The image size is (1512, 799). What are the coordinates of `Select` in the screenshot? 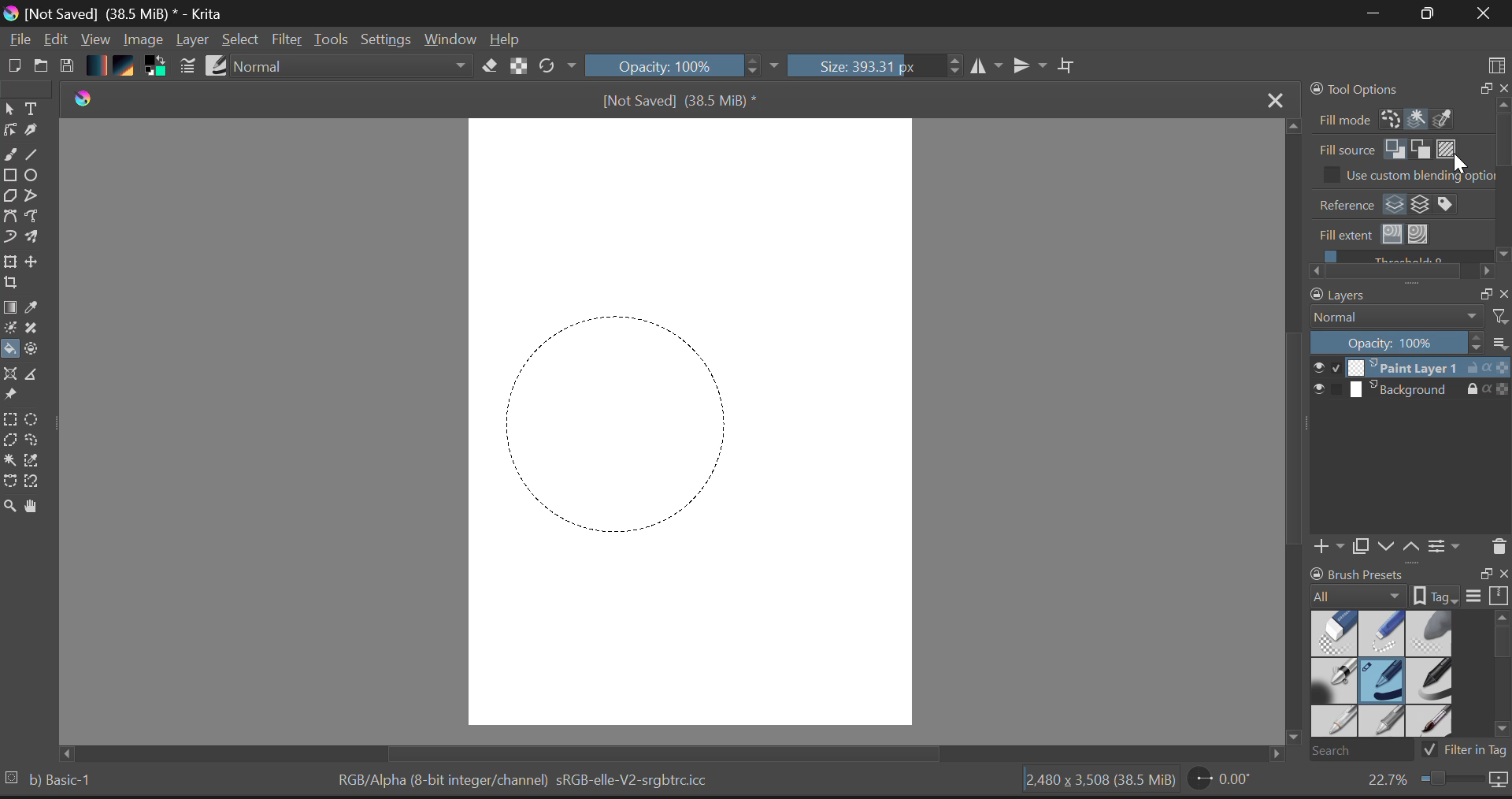 It's located at (9, 110).